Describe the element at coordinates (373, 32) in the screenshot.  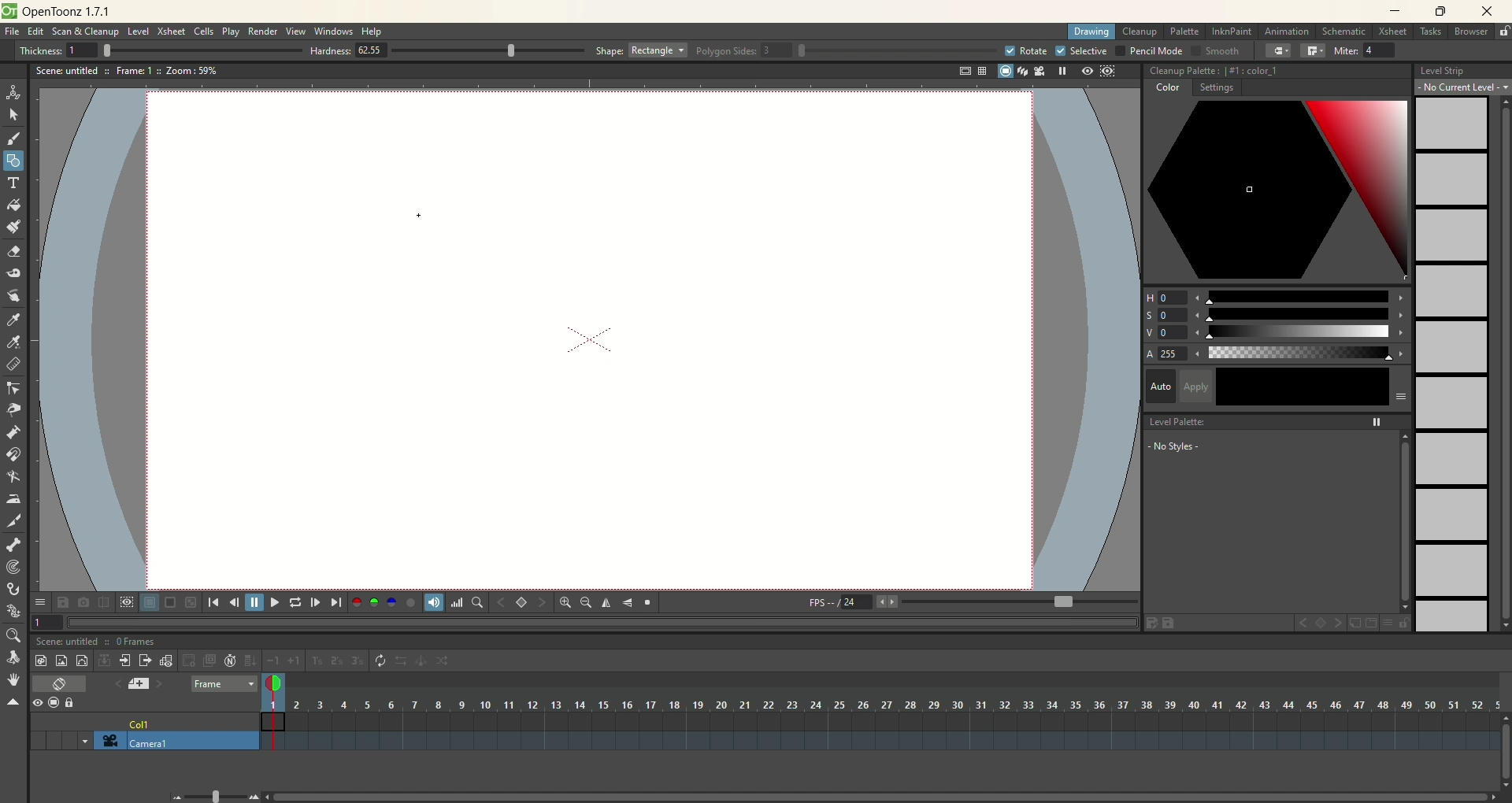
I see `help` at that location.